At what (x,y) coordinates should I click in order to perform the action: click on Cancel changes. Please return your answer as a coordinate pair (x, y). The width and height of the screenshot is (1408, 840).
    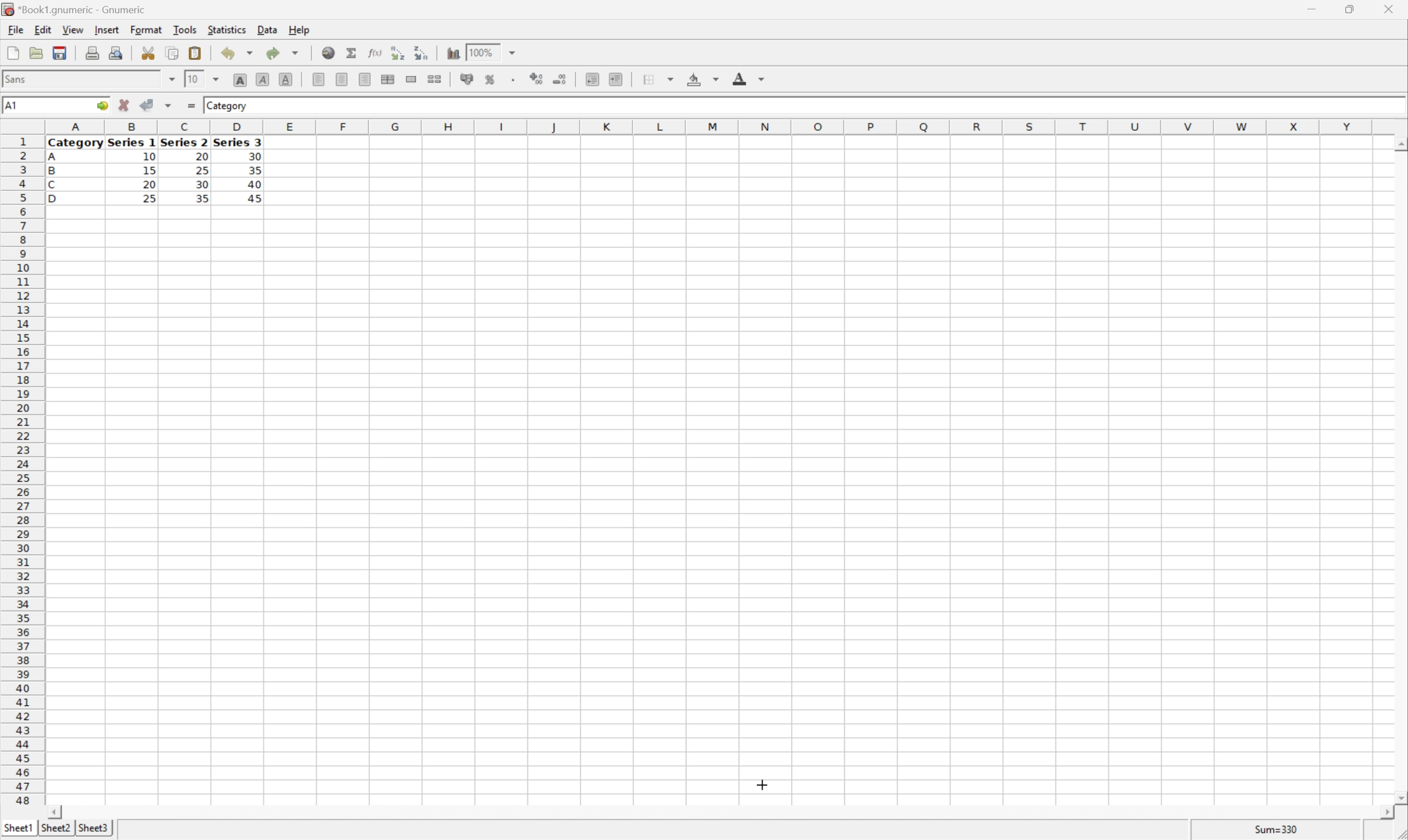
    Looking at the image, I should click on (124, 103).